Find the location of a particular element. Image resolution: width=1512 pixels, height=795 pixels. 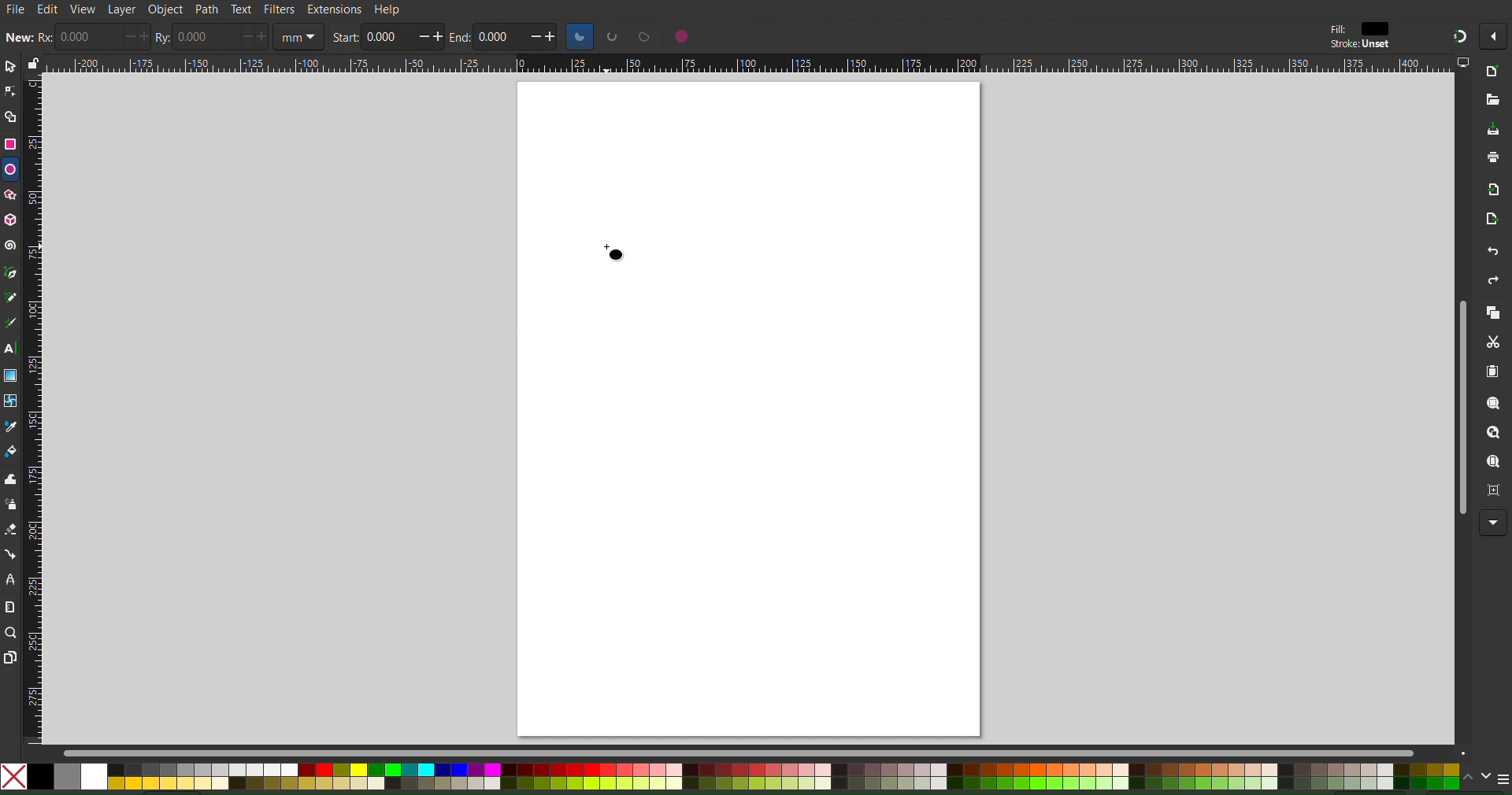

stroke is located at coordinates (1362, 44).